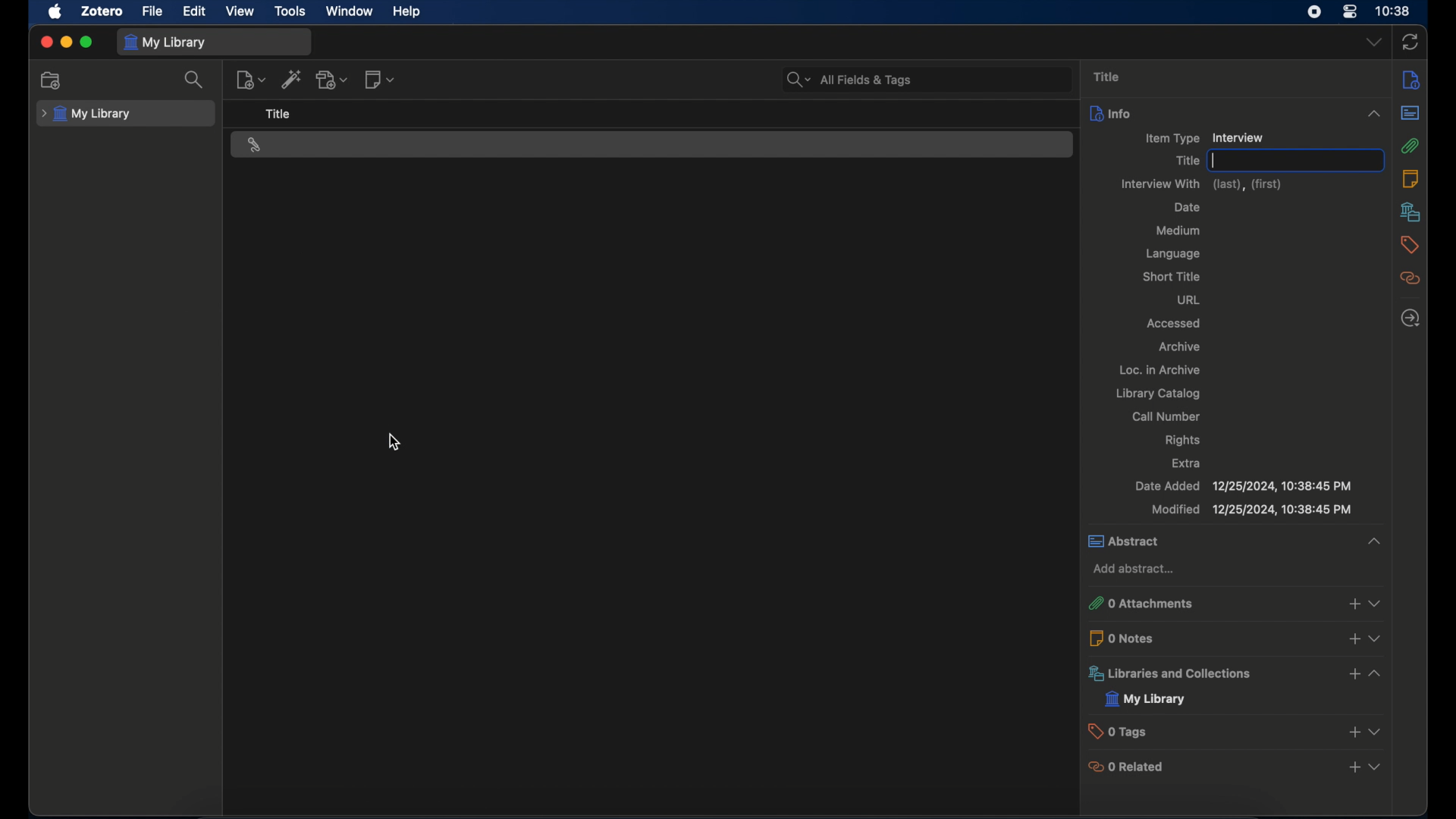  I want to click on add, so click(1354, 641).